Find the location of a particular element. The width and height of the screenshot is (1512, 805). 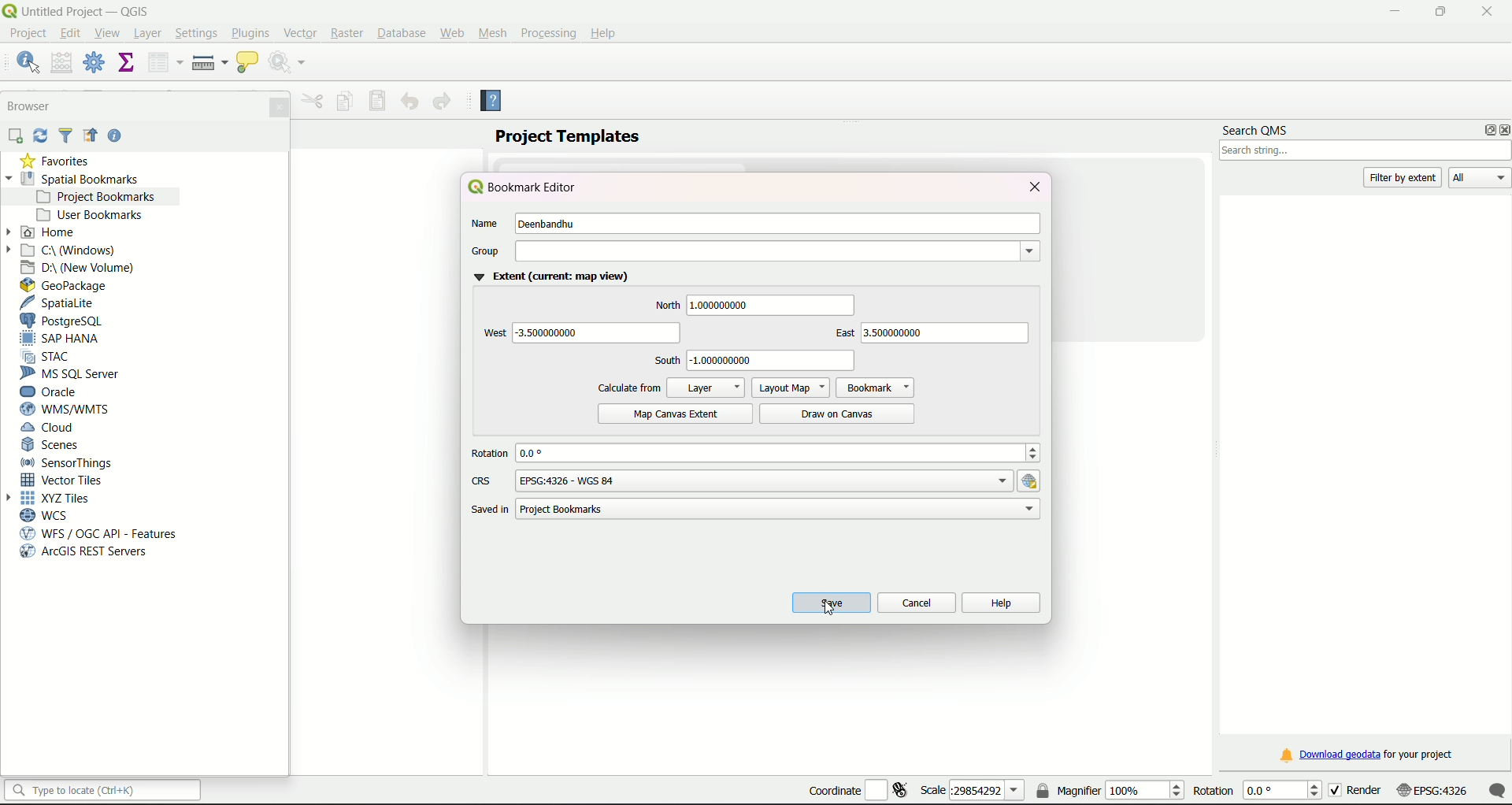

magnifier is located at coordinates (1110, 789).